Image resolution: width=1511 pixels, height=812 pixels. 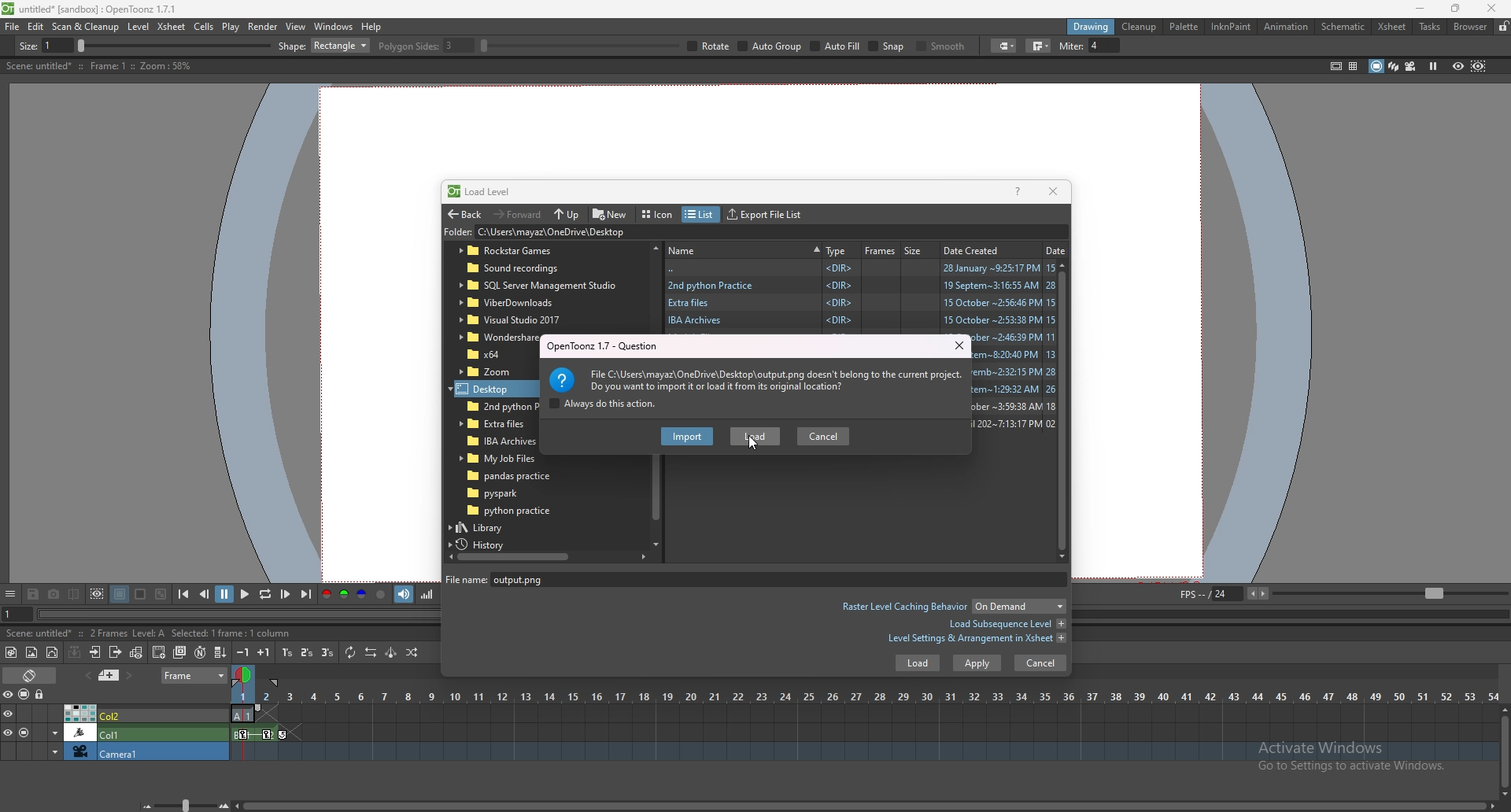 What do you see at coordinates (120, 594) in the screenshot?
I see `black background` at bounding box center [120, 594].